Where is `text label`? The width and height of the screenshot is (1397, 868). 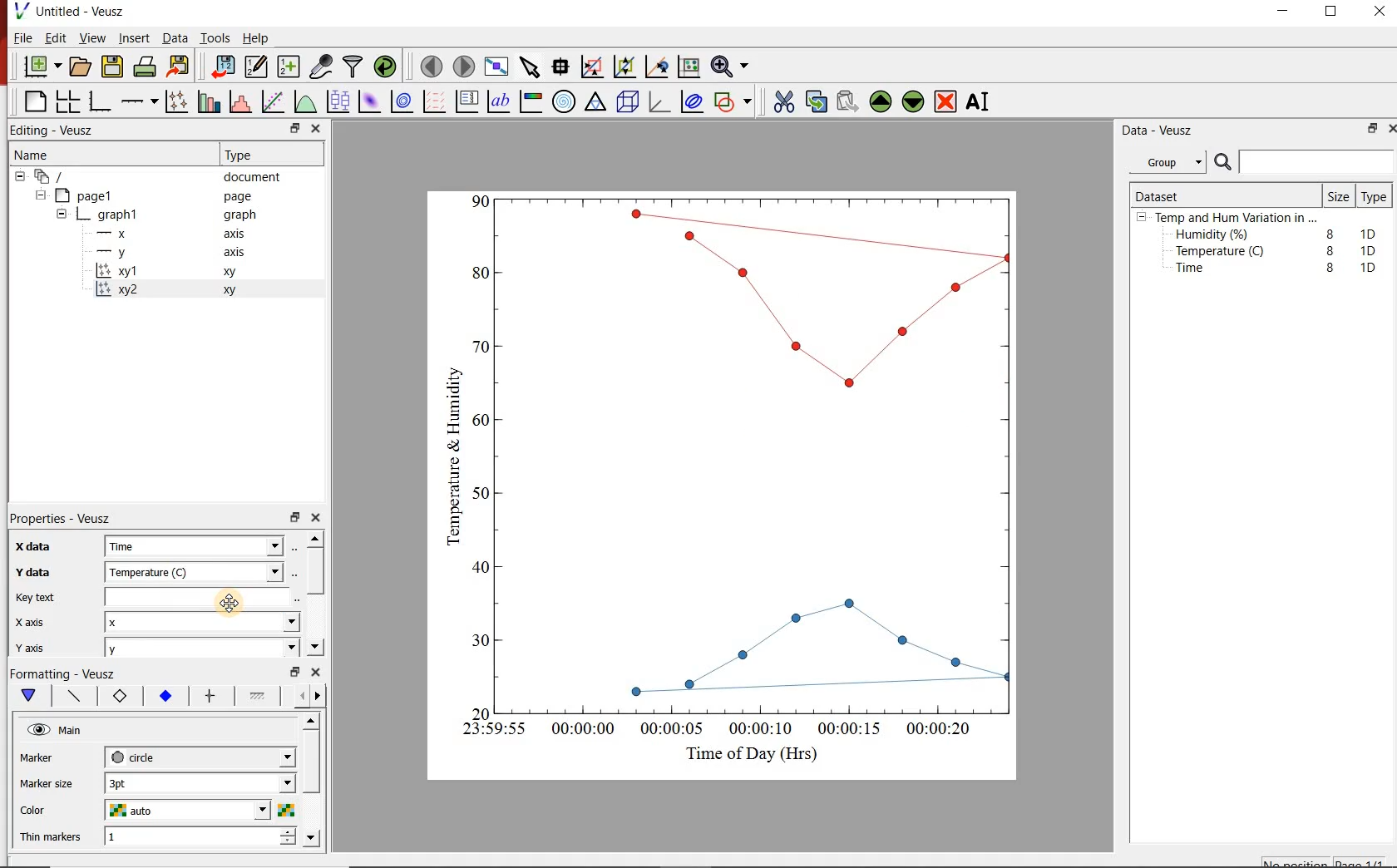
text label is located at coordinates (502, 101).